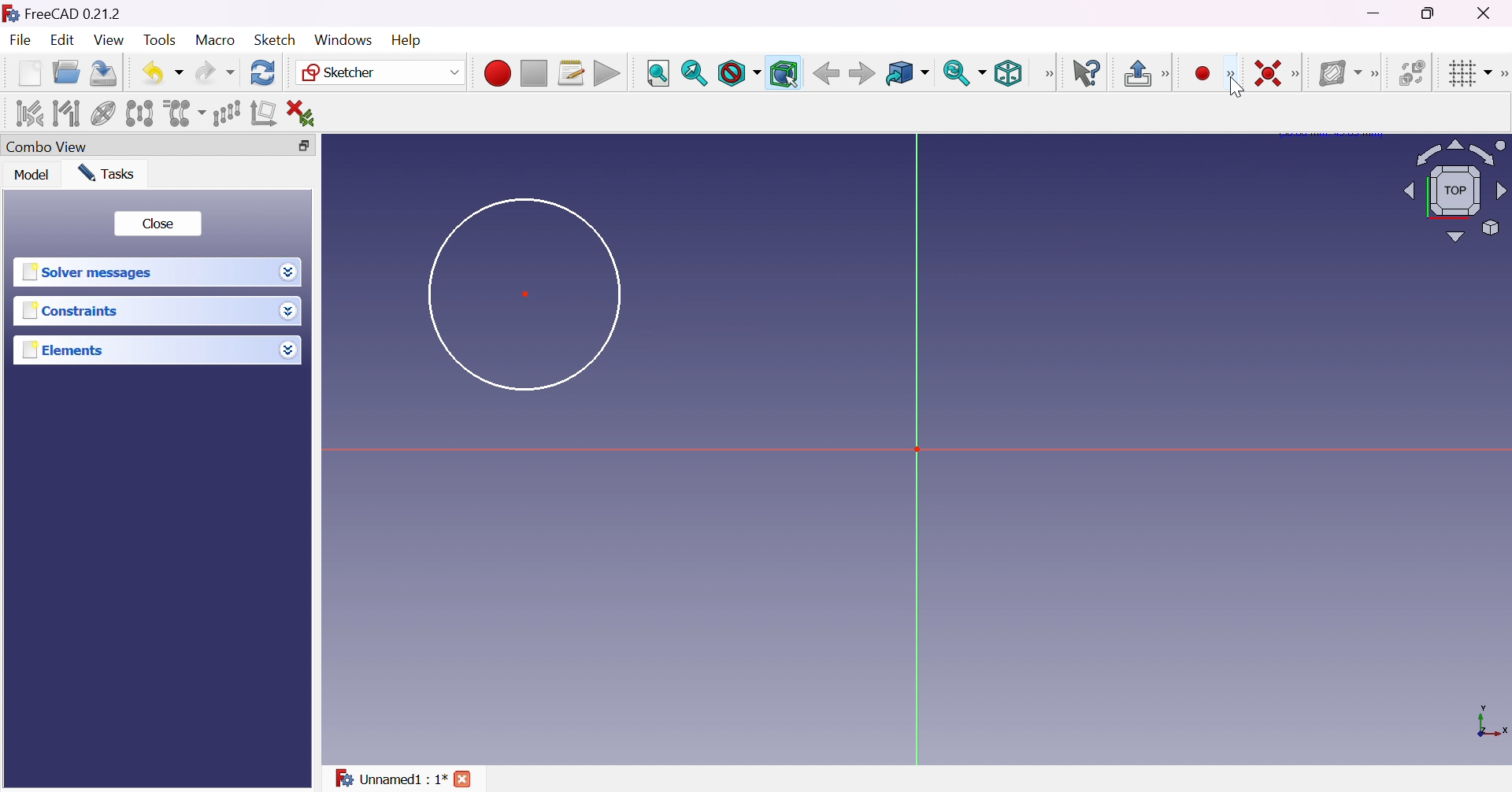  I want to click on Tasks, so click(106, 172).